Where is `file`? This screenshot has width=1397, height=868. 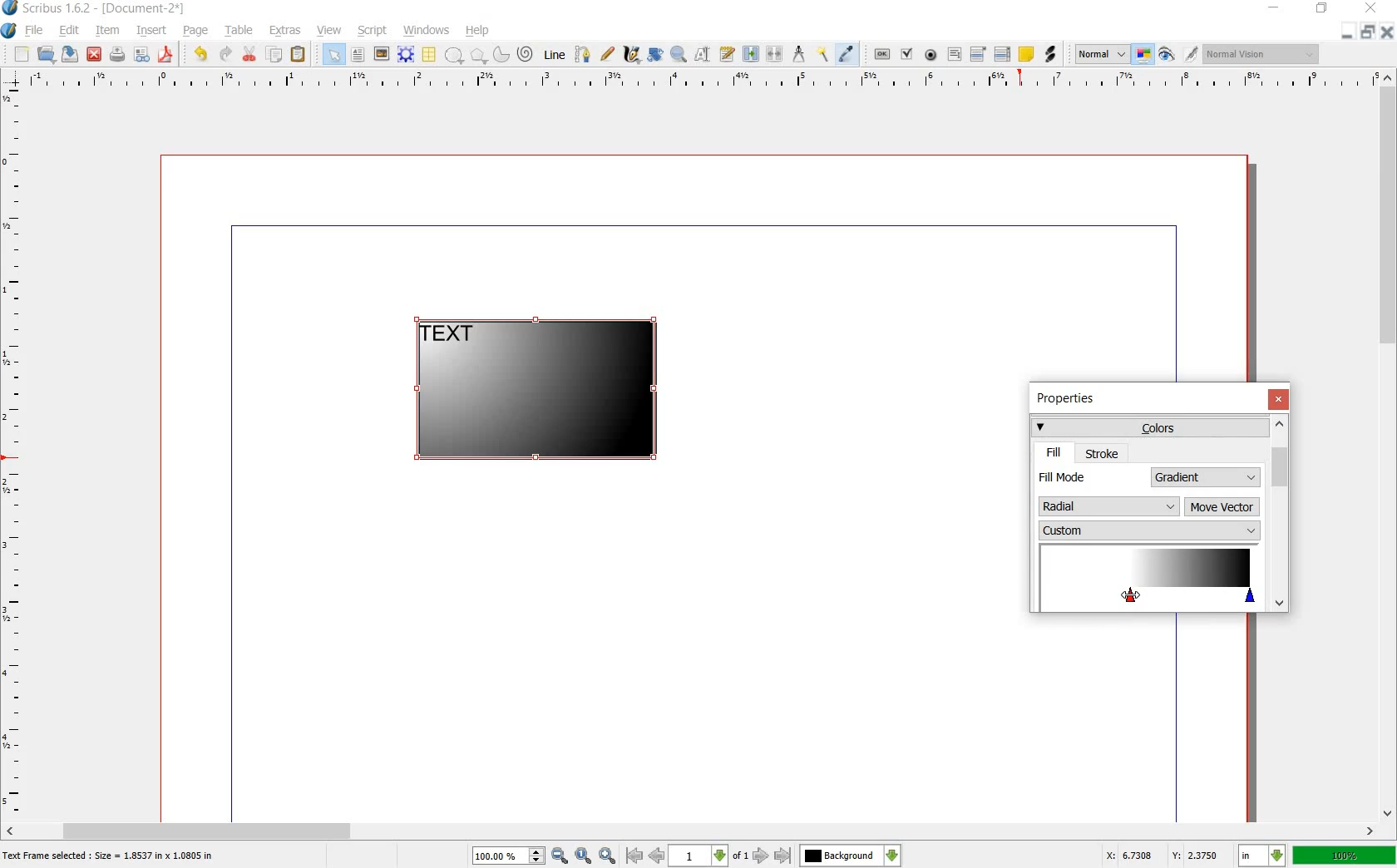 file is located at coordinates (37, 31).